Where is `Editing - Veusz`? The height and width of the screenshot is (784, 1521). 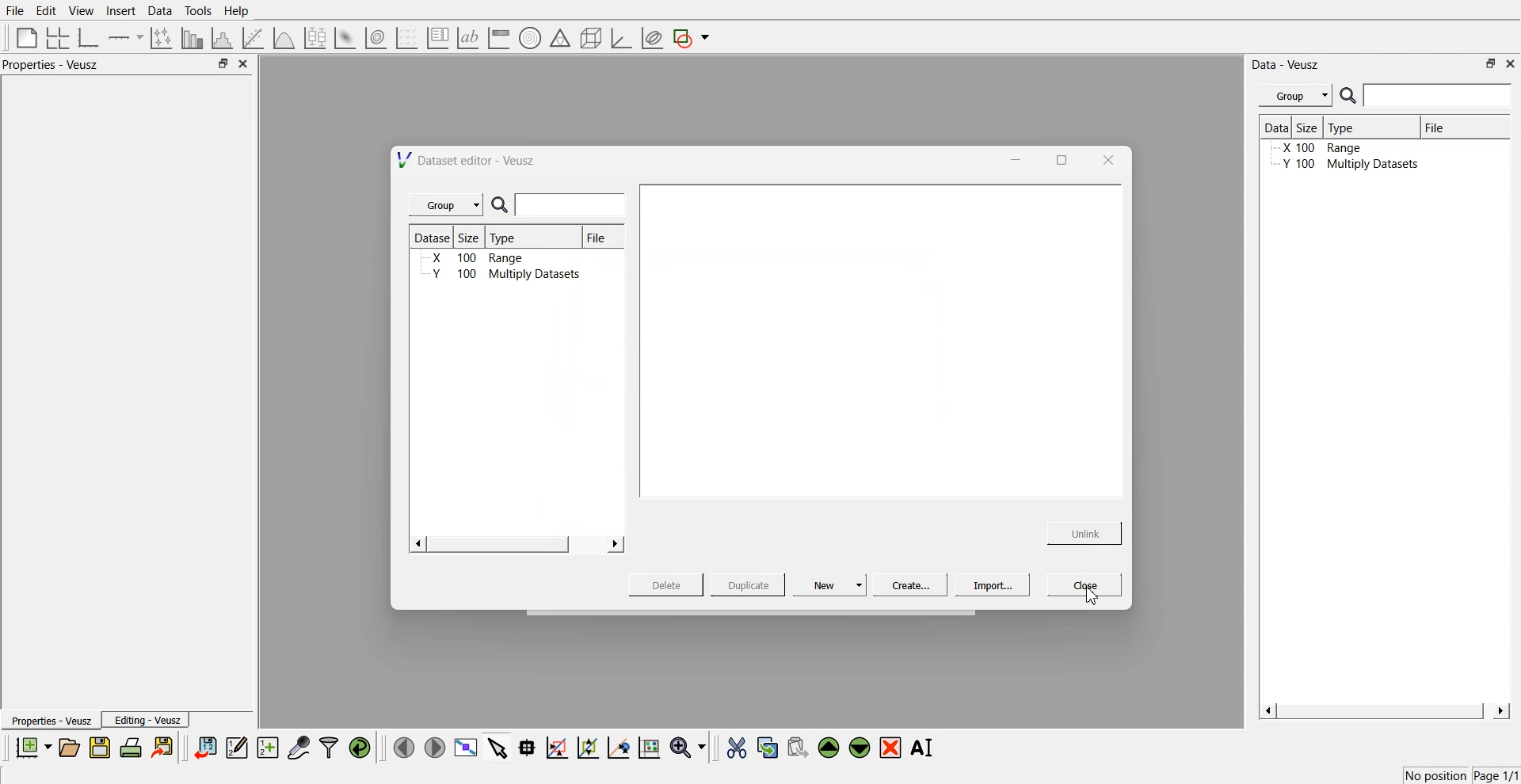 Editing - Veusz is located at coordinates (147, 720).